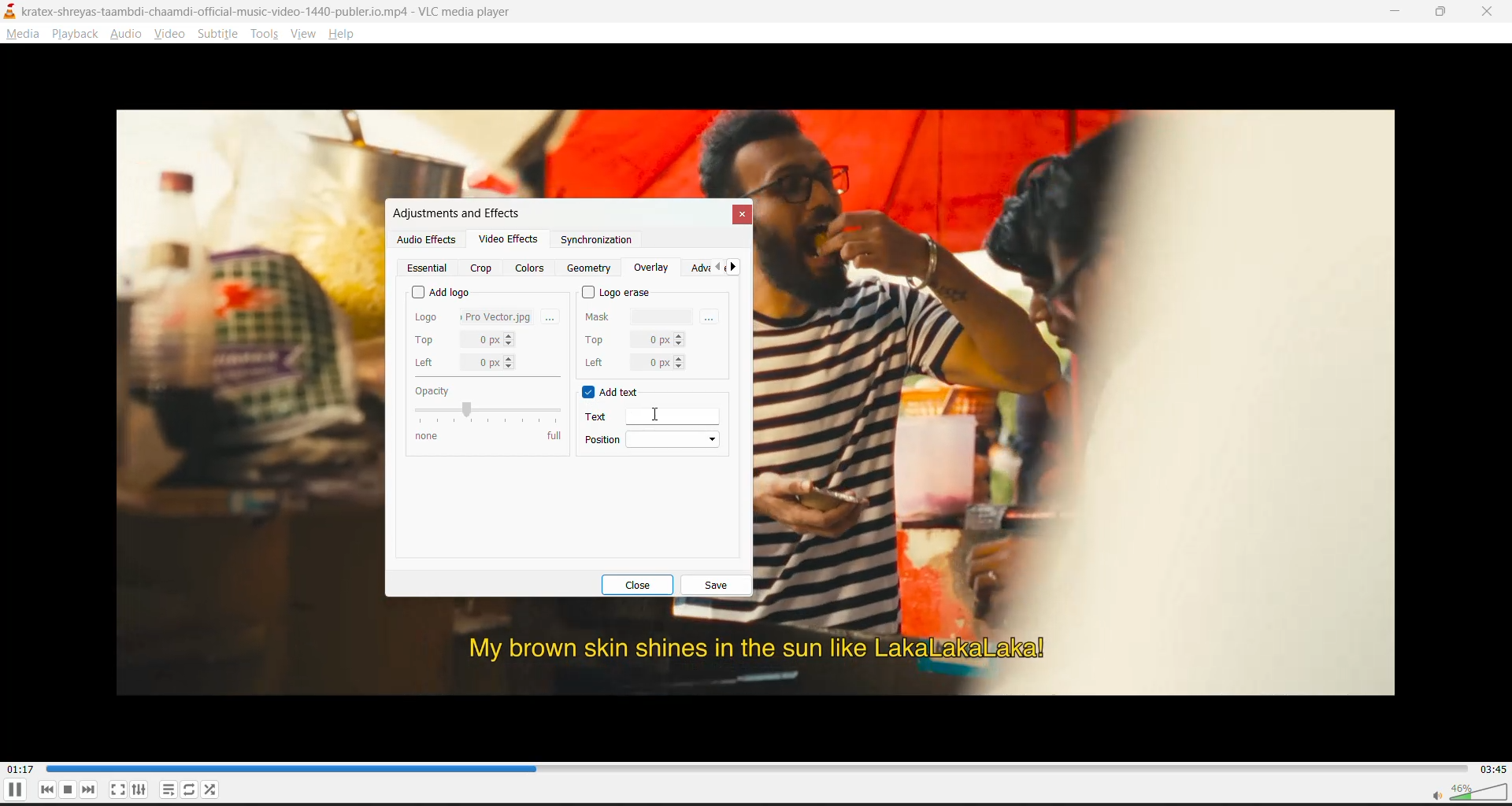  I want to click on crop, so click(481, 268).